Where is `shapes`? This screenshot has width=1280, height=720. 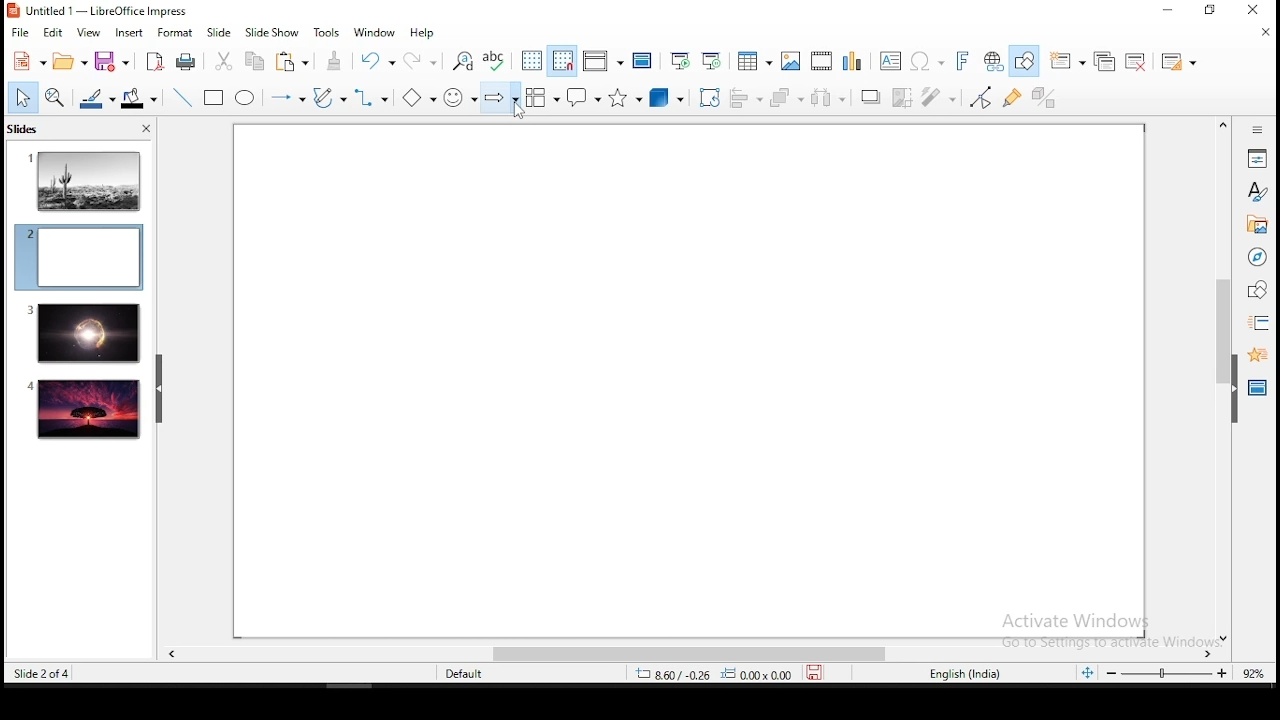
shapes is located at coordinates (1255, 290).